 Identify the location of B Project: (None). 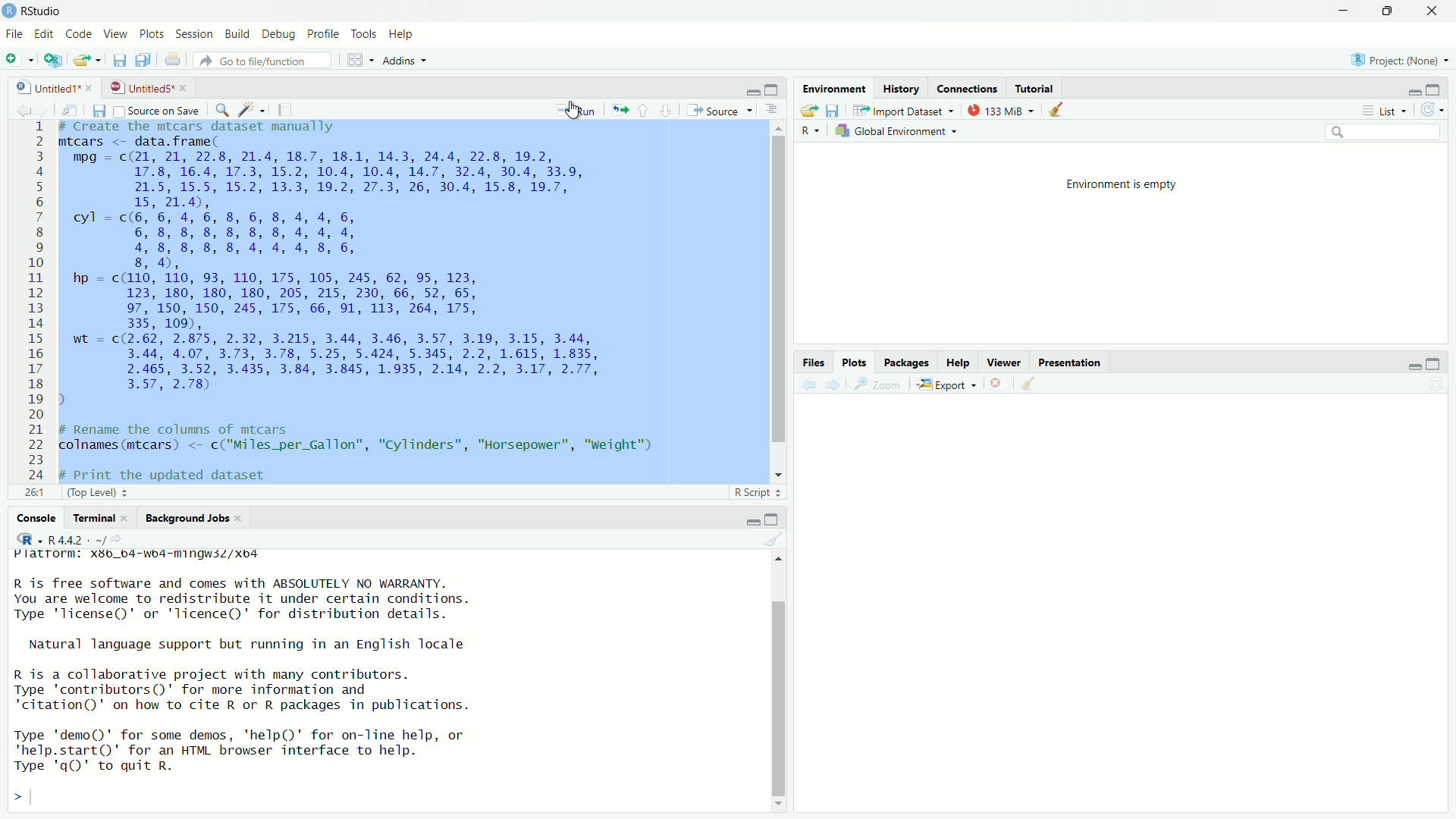
(1396, 61).